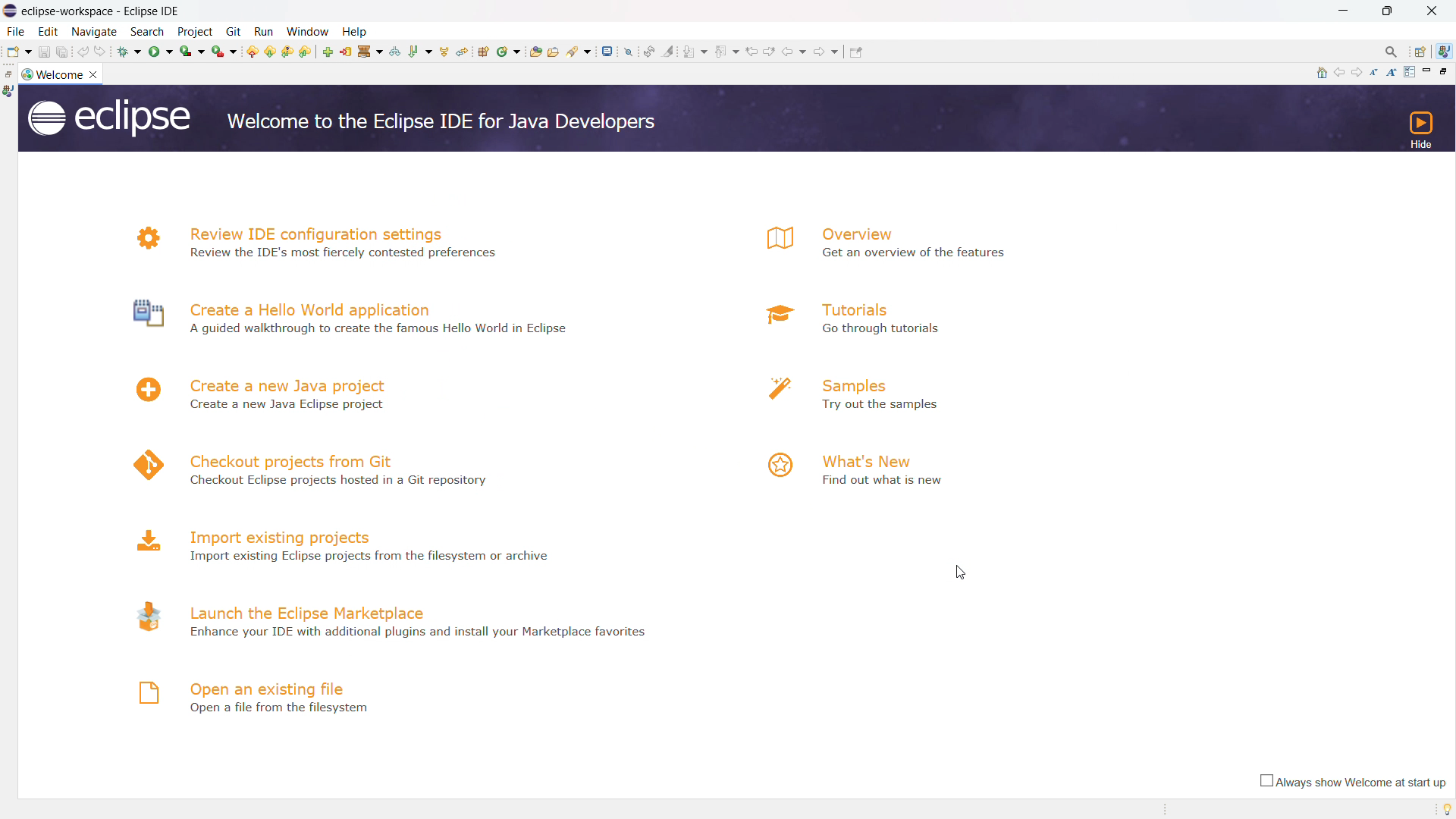  I want to click on redo, so click(102, 52).